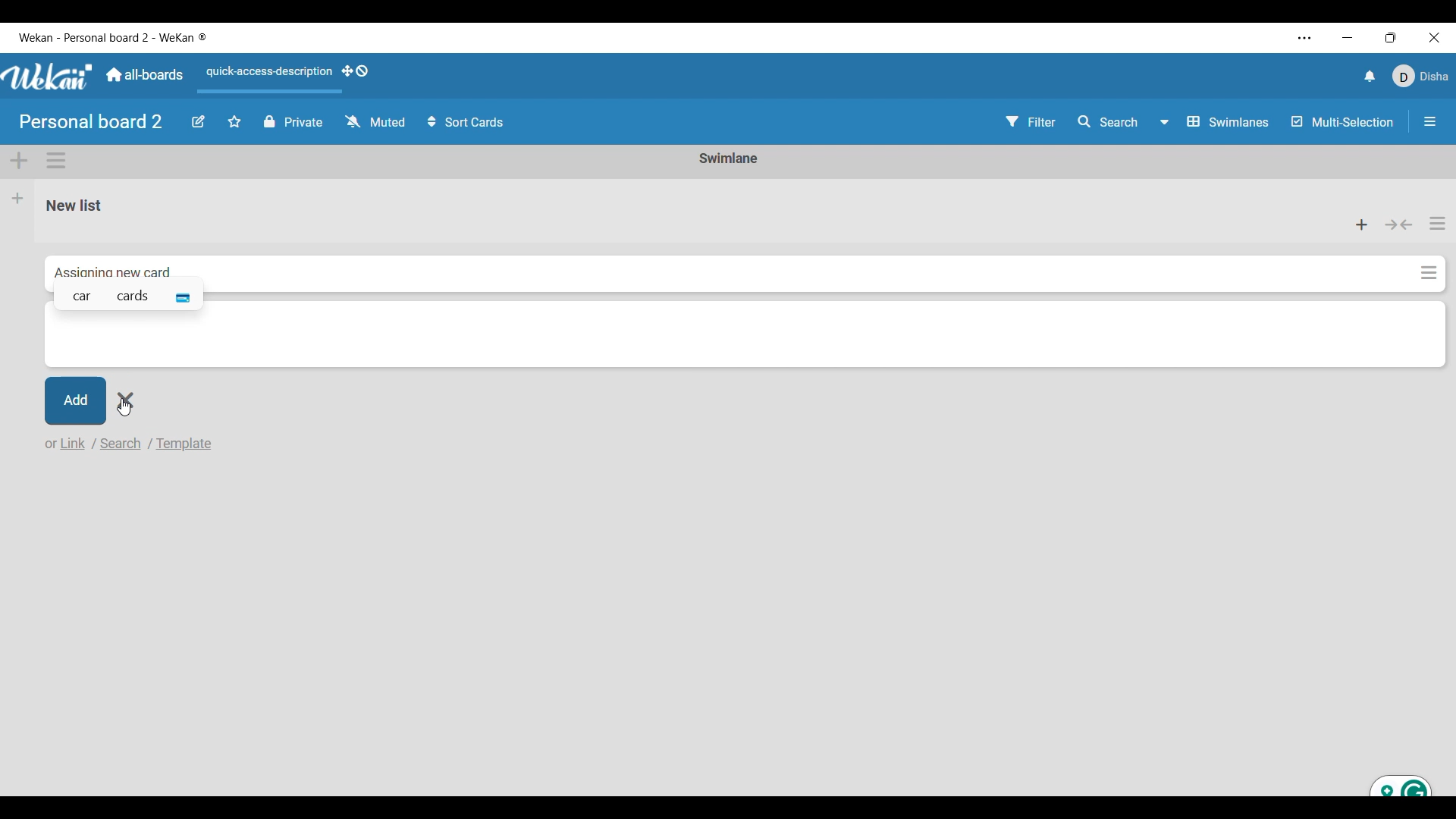  I want to click on Collapse, so click(1399, 224).